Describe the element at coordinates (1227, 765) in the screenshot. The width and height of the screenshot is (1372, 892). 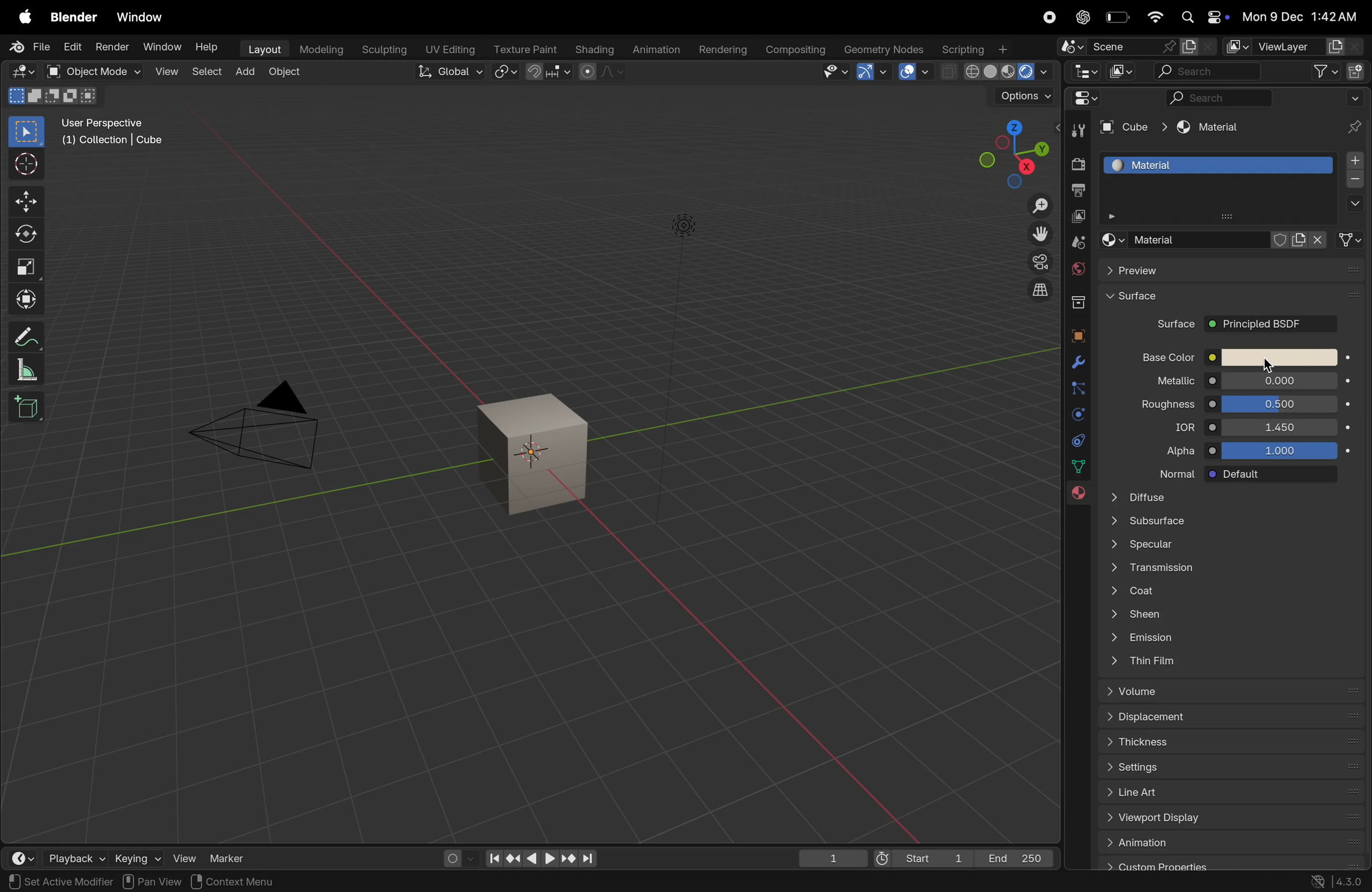
I see `settings` at that location.